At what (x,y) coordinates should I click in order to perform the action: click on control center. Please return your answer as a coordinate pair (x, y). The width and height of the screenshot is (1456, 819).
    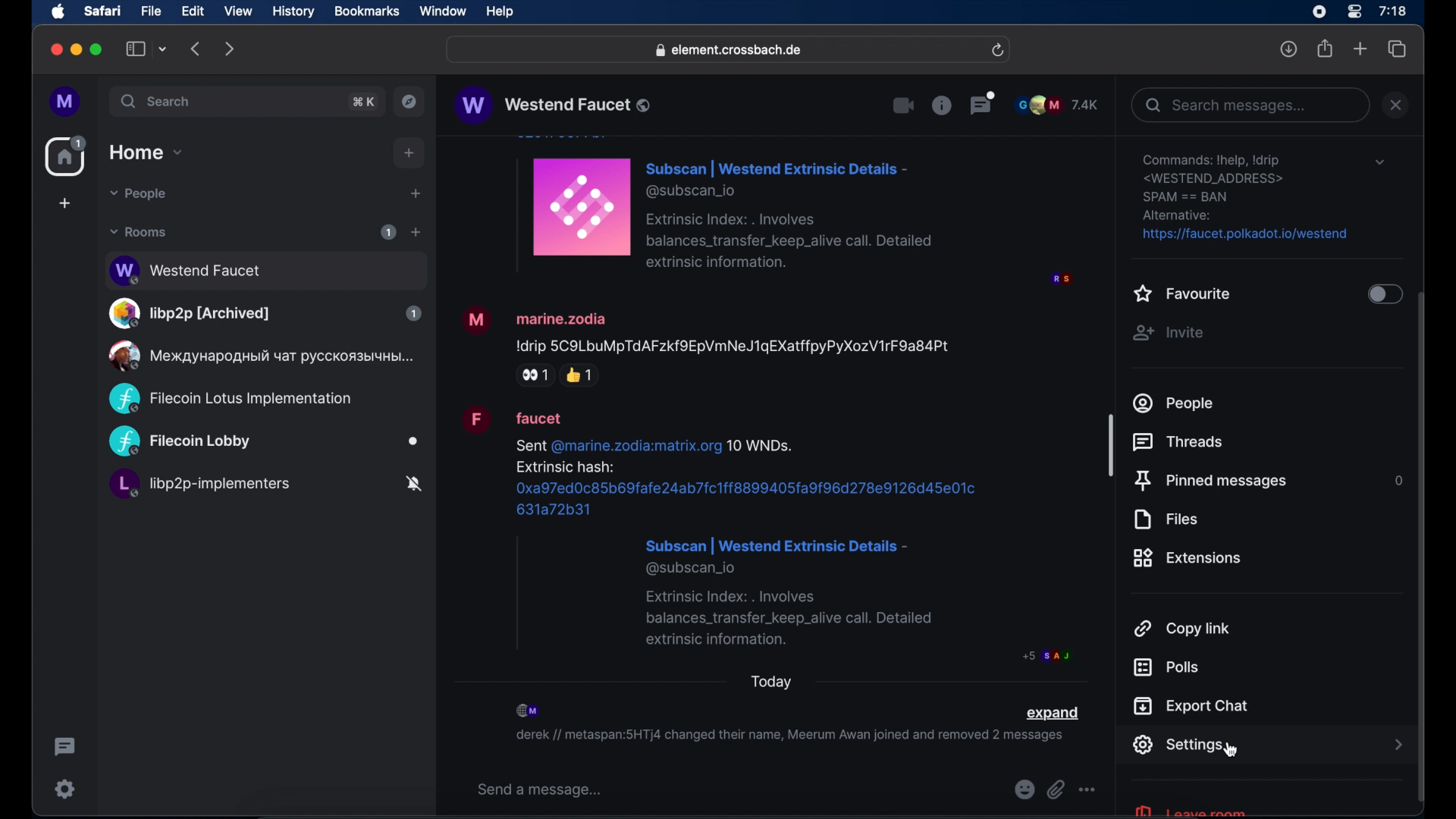
    Looking at the image, I should click on (1353, 12).